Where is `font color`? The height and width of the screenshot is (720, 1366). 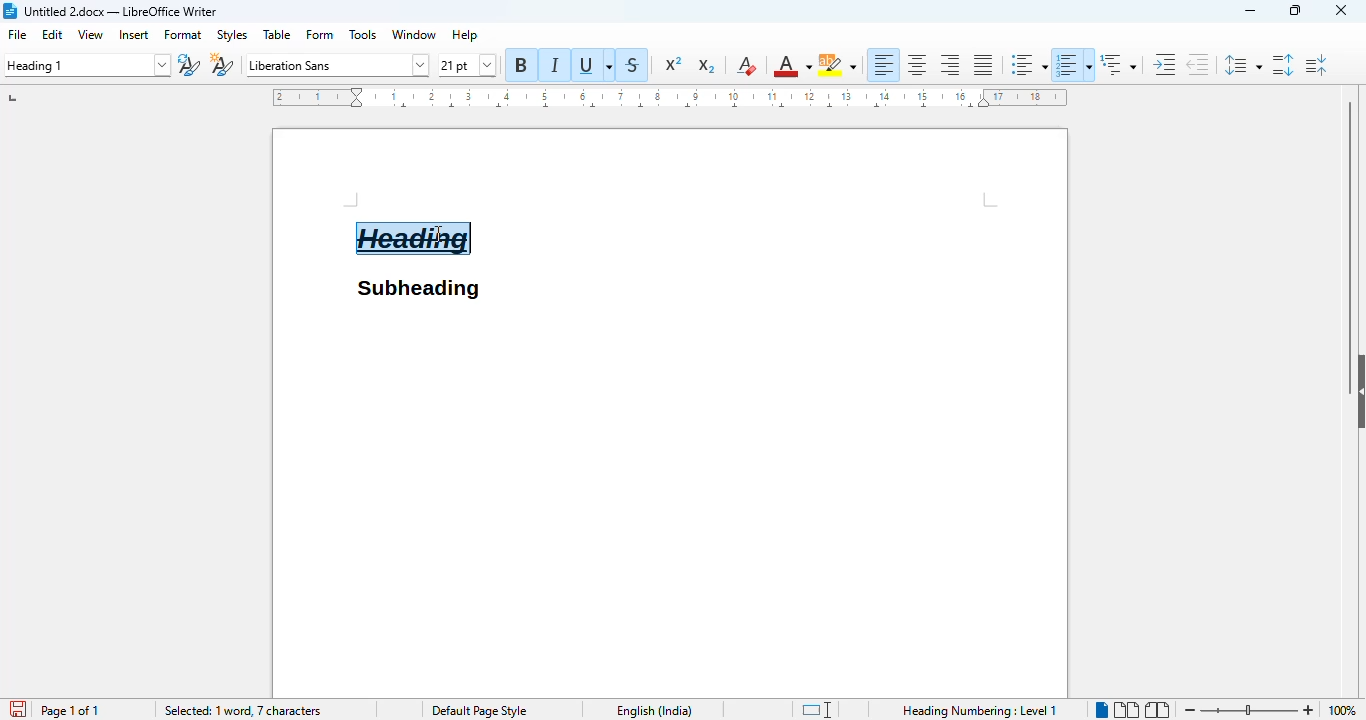 font color is located at coordinates (791, 66).